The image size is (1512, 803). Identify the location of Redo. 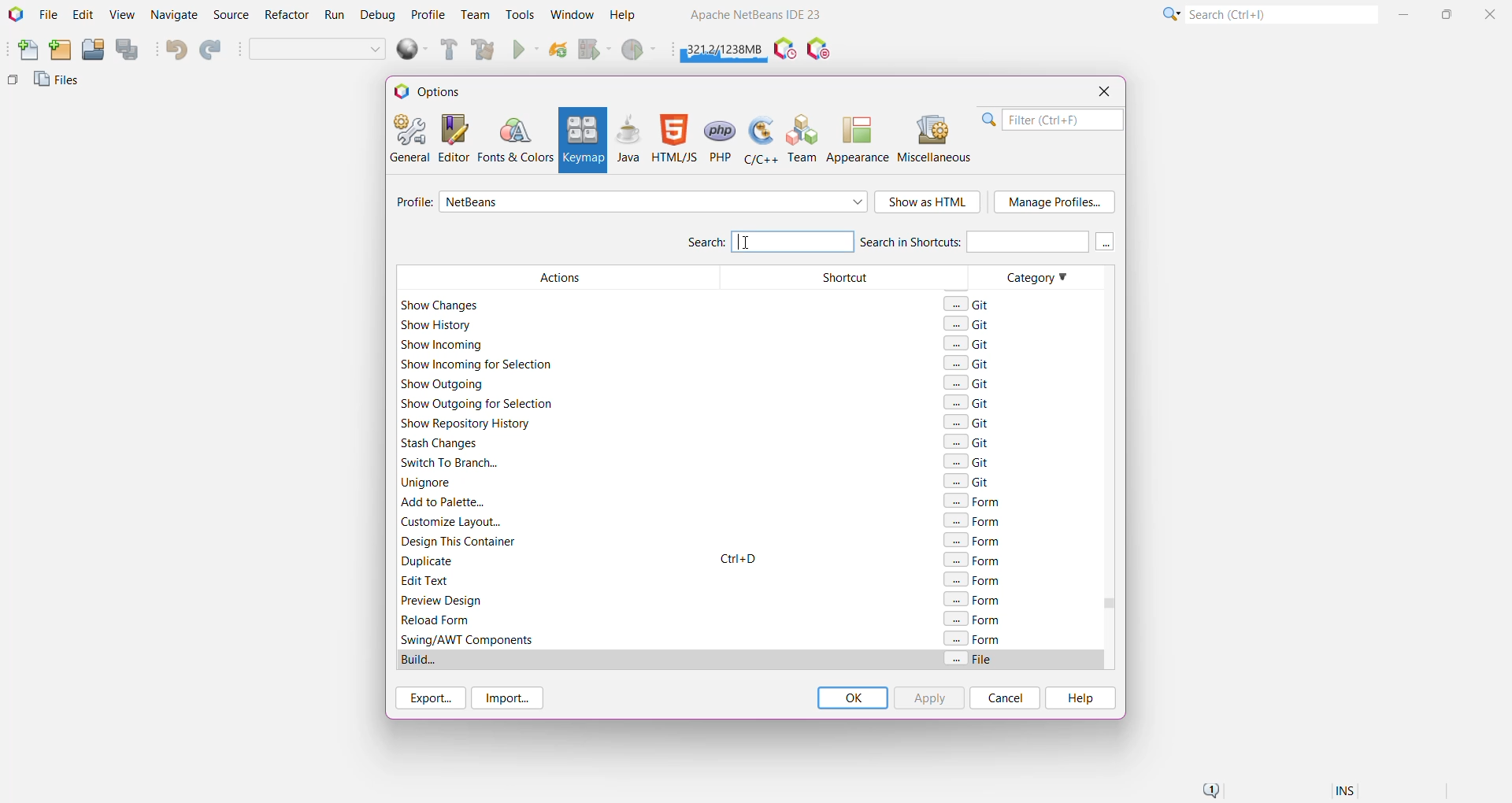
(213, 50).